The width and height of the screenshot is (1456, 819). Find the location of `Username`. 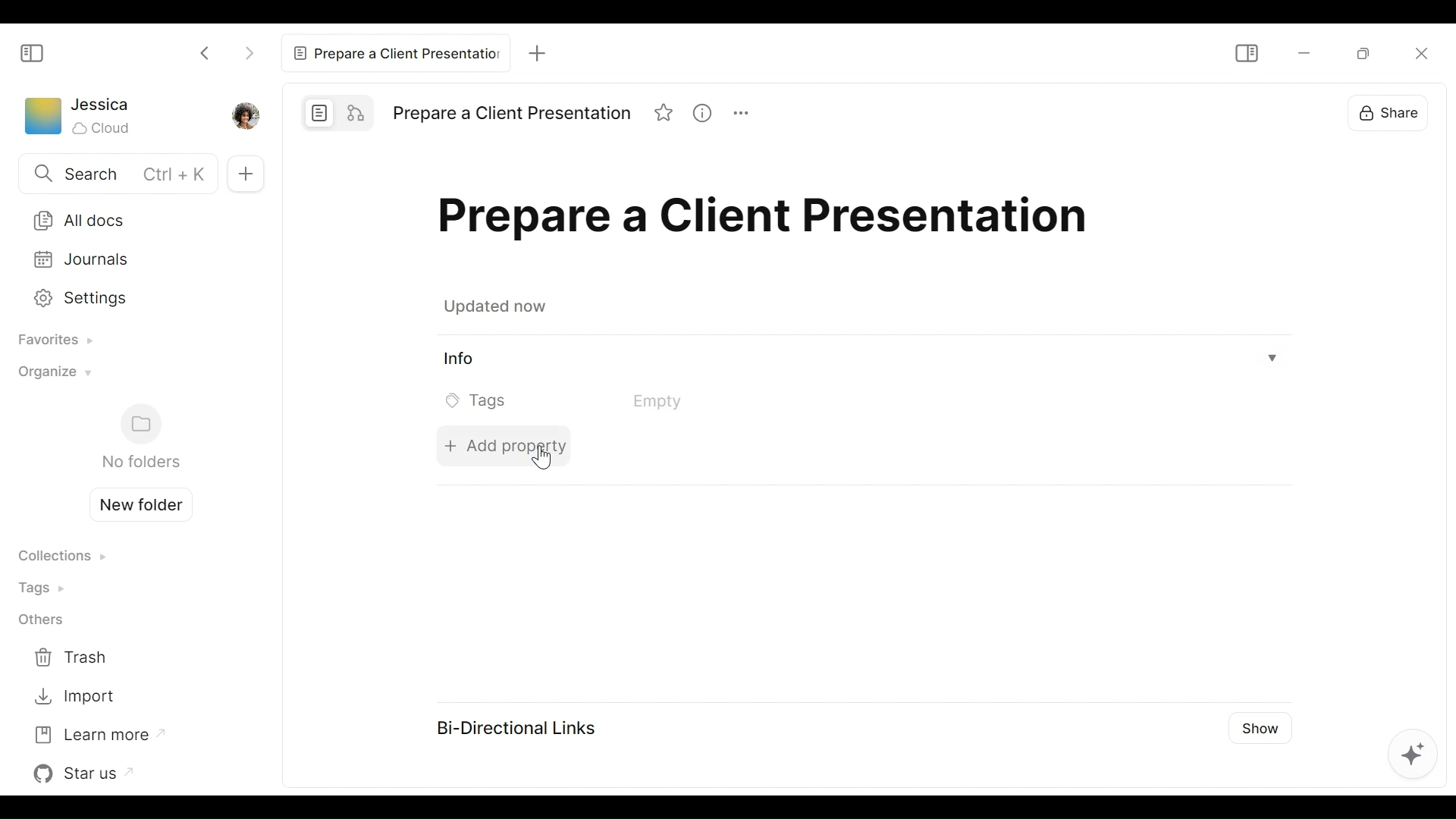

Username is located at coordinates (102, 105).